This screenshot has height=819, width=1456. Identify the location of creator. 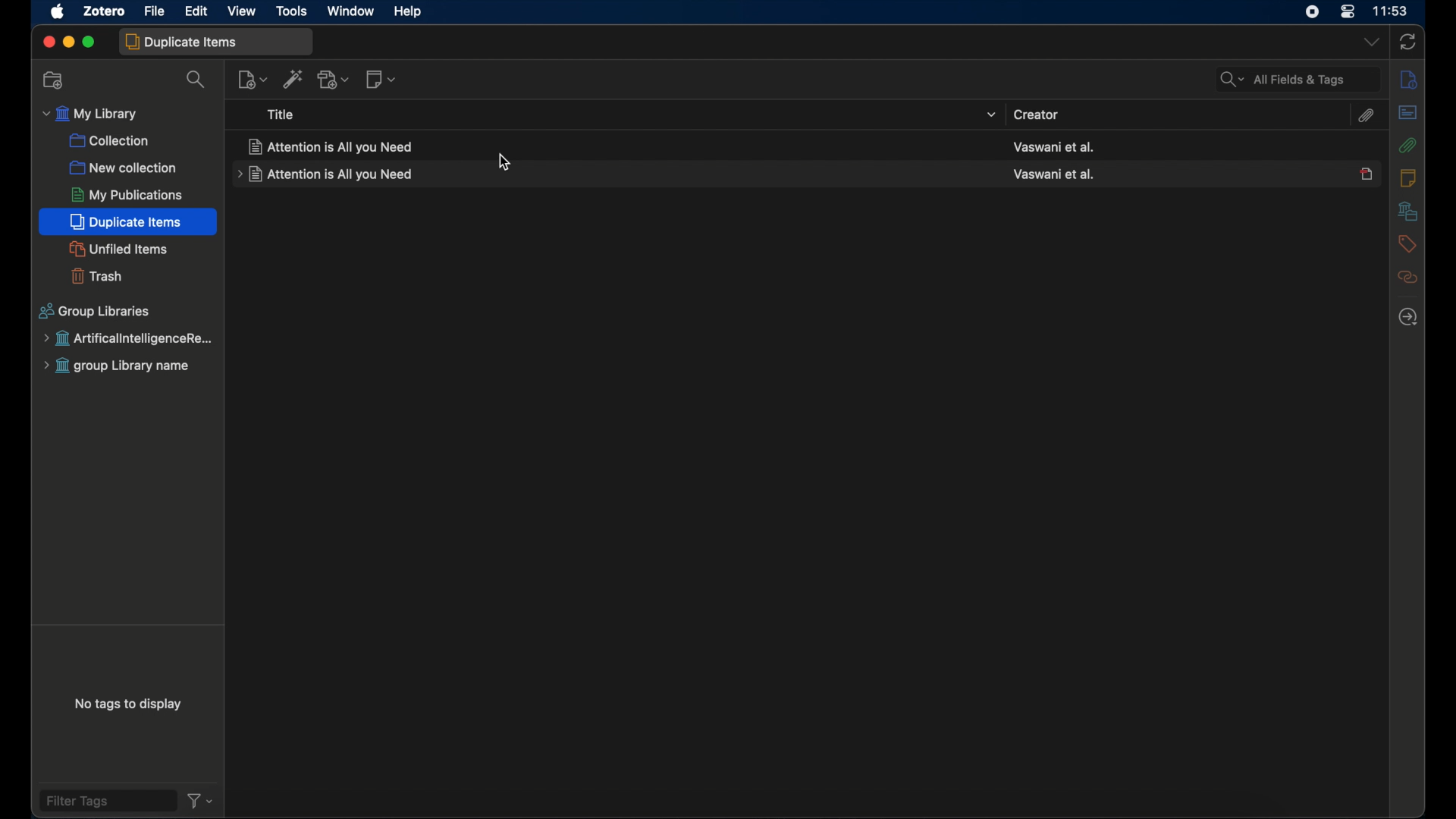
(1055, 147).